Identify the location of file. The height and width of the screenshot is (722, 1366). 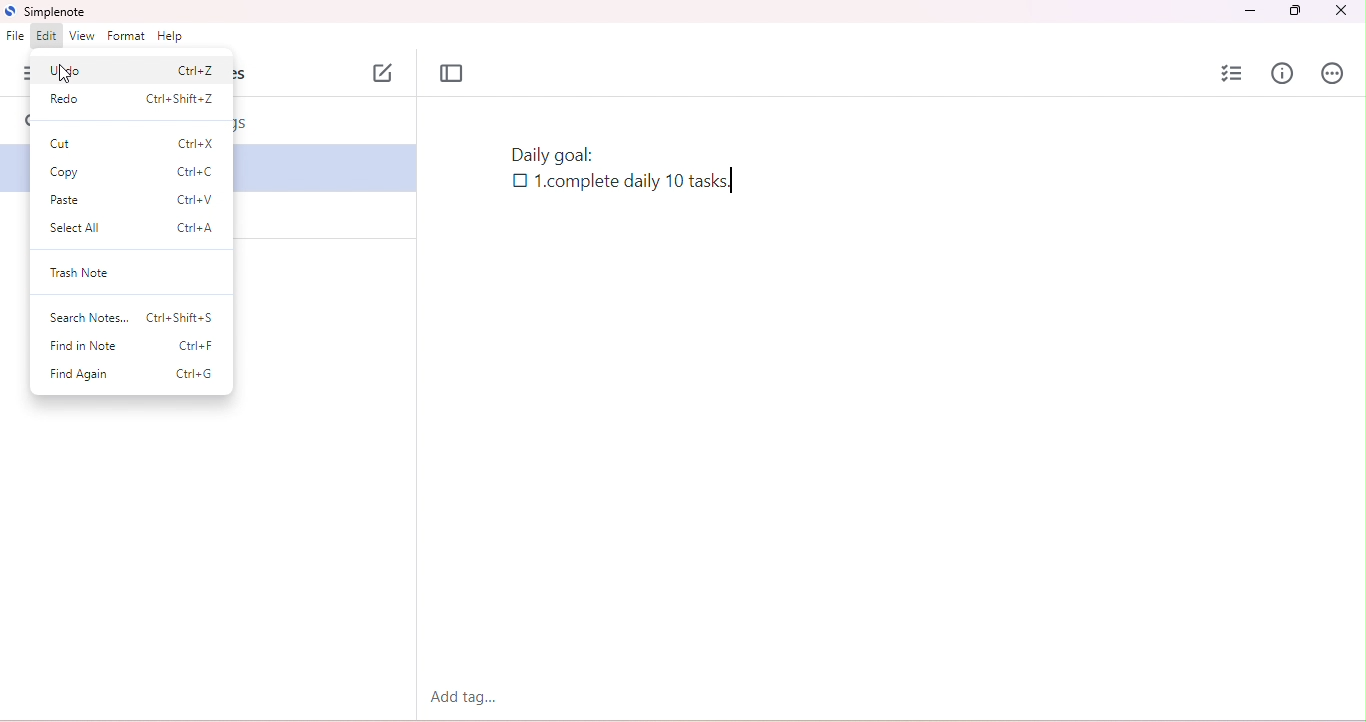
(16, 36).